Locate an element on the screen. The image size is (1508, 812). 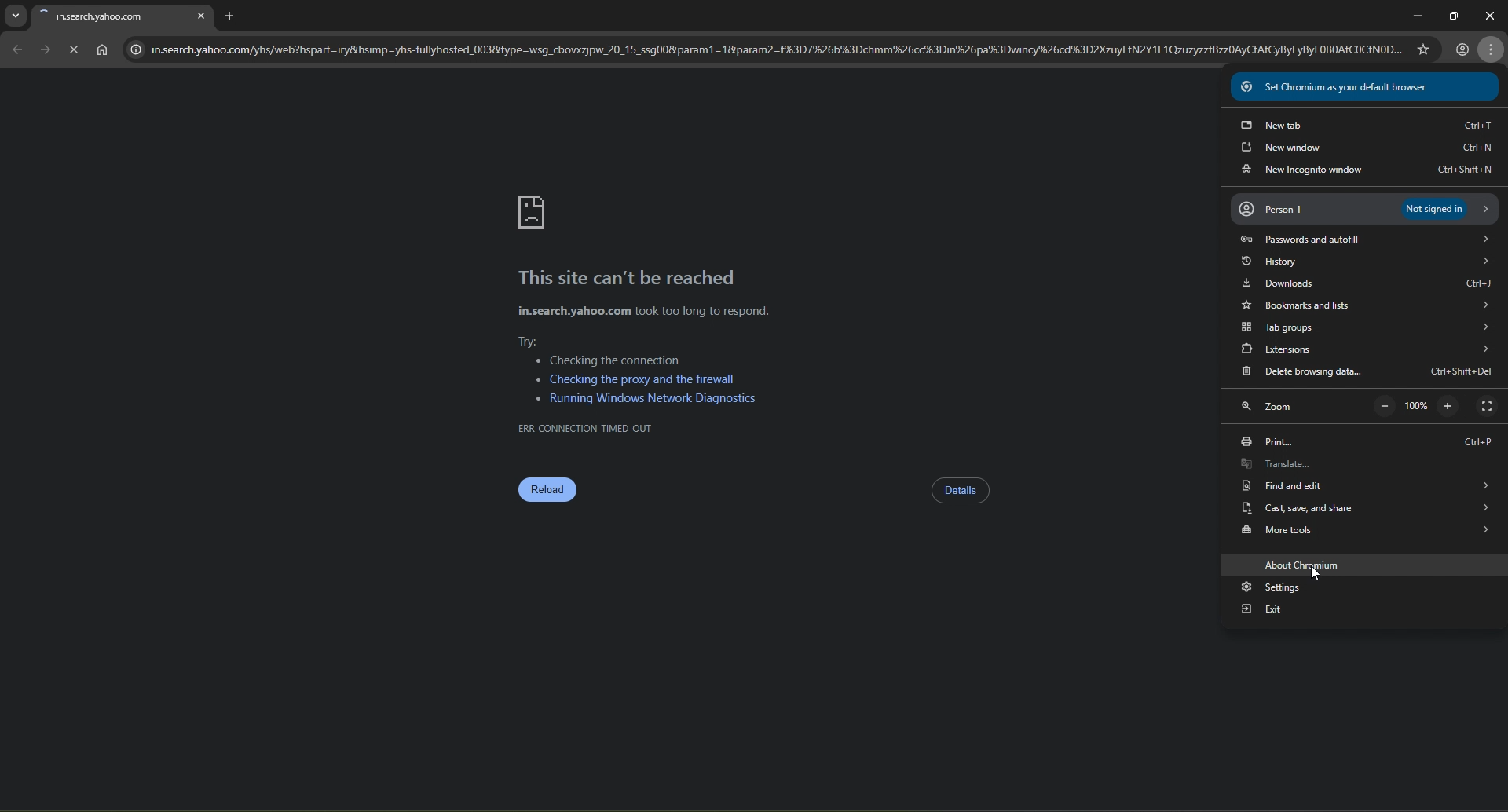
Stop Reload is located at coordinates (72, 49).